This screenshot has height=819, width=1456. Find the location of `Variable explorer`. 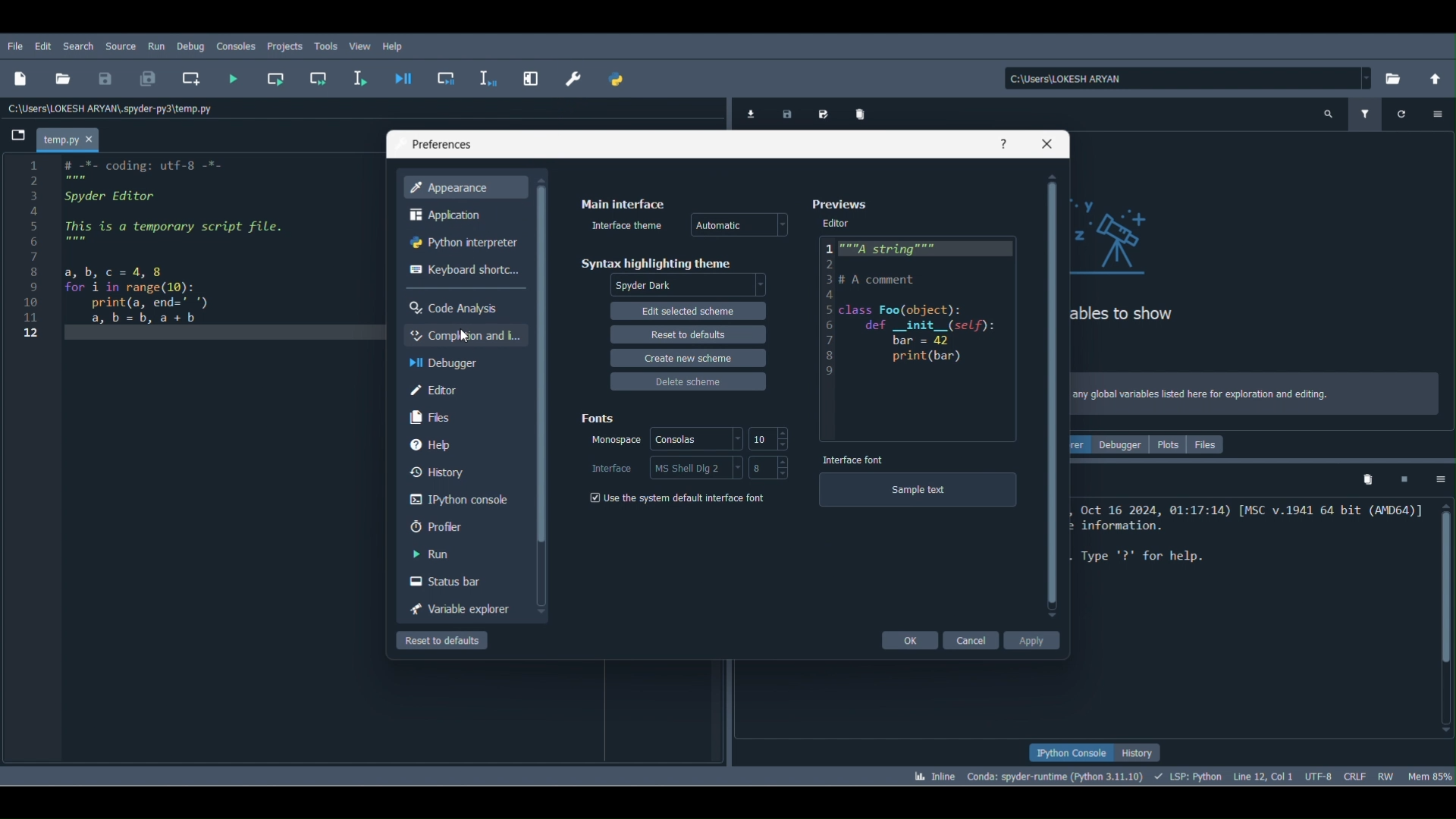

Variable explorer is located at coordinates (463, 609).